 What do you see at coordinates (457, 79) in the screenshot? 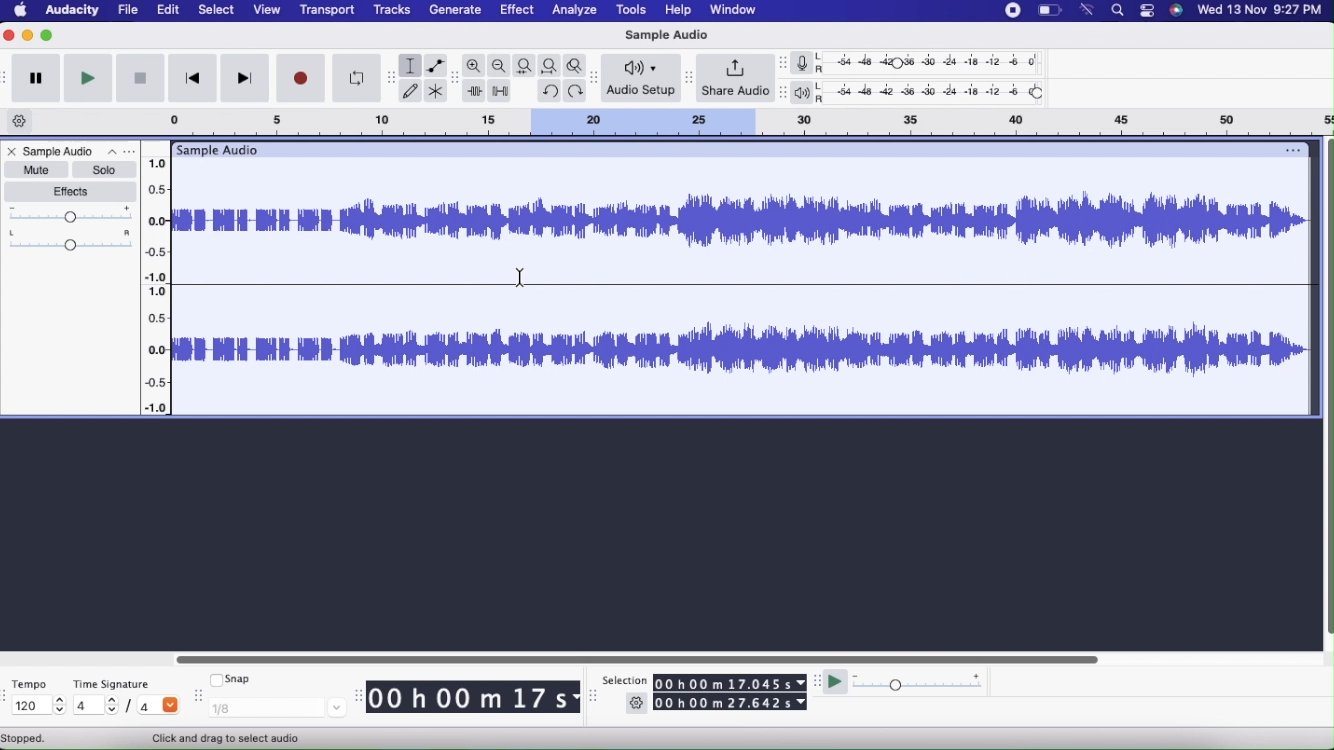
I see `move toolbar` at bounding box center [457, 79].